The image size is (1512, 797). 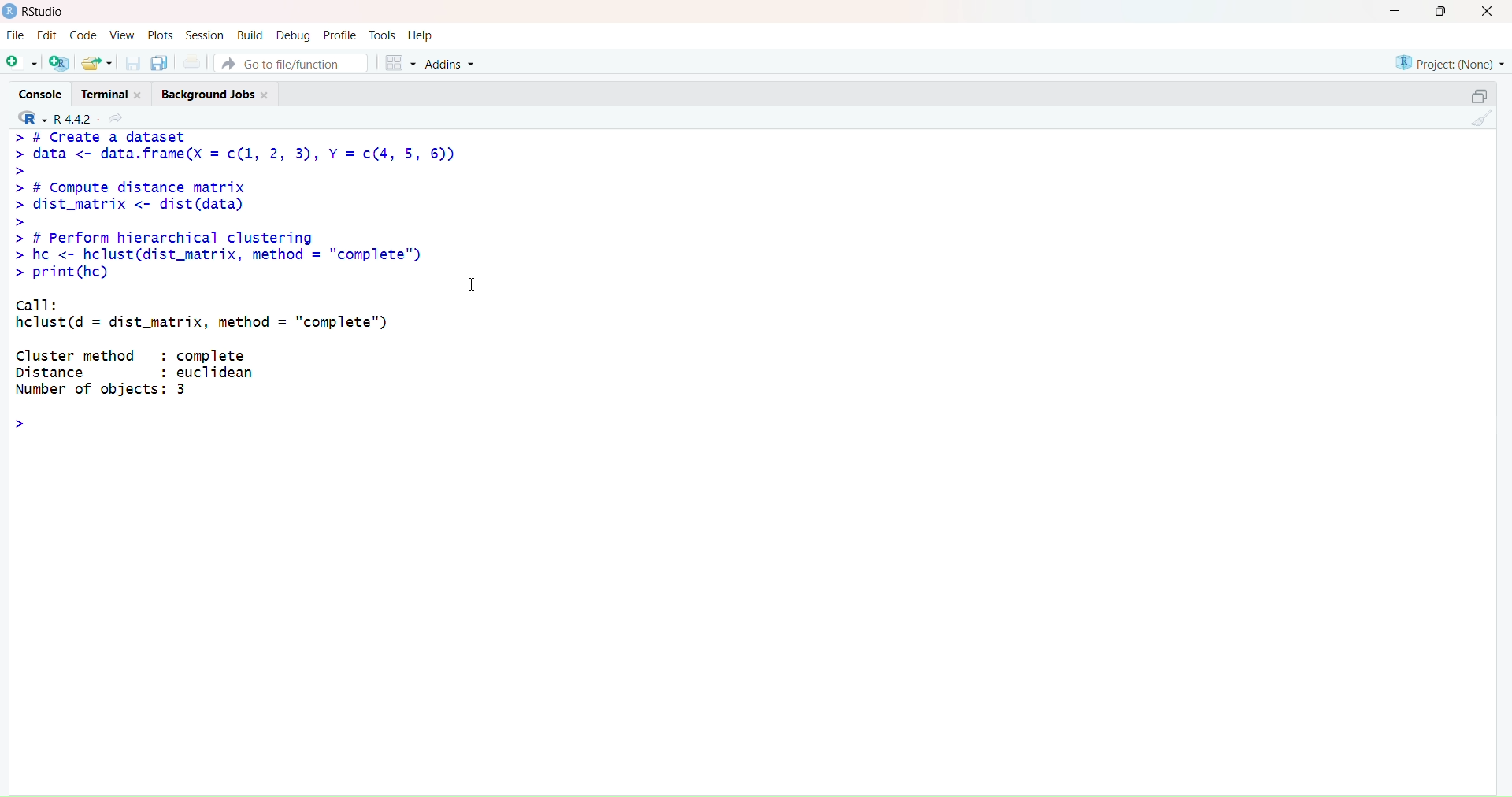 What do you see at coordinates (61, 61) in the screenshot?
I see `Create a project` at bounding box center [61, 61].